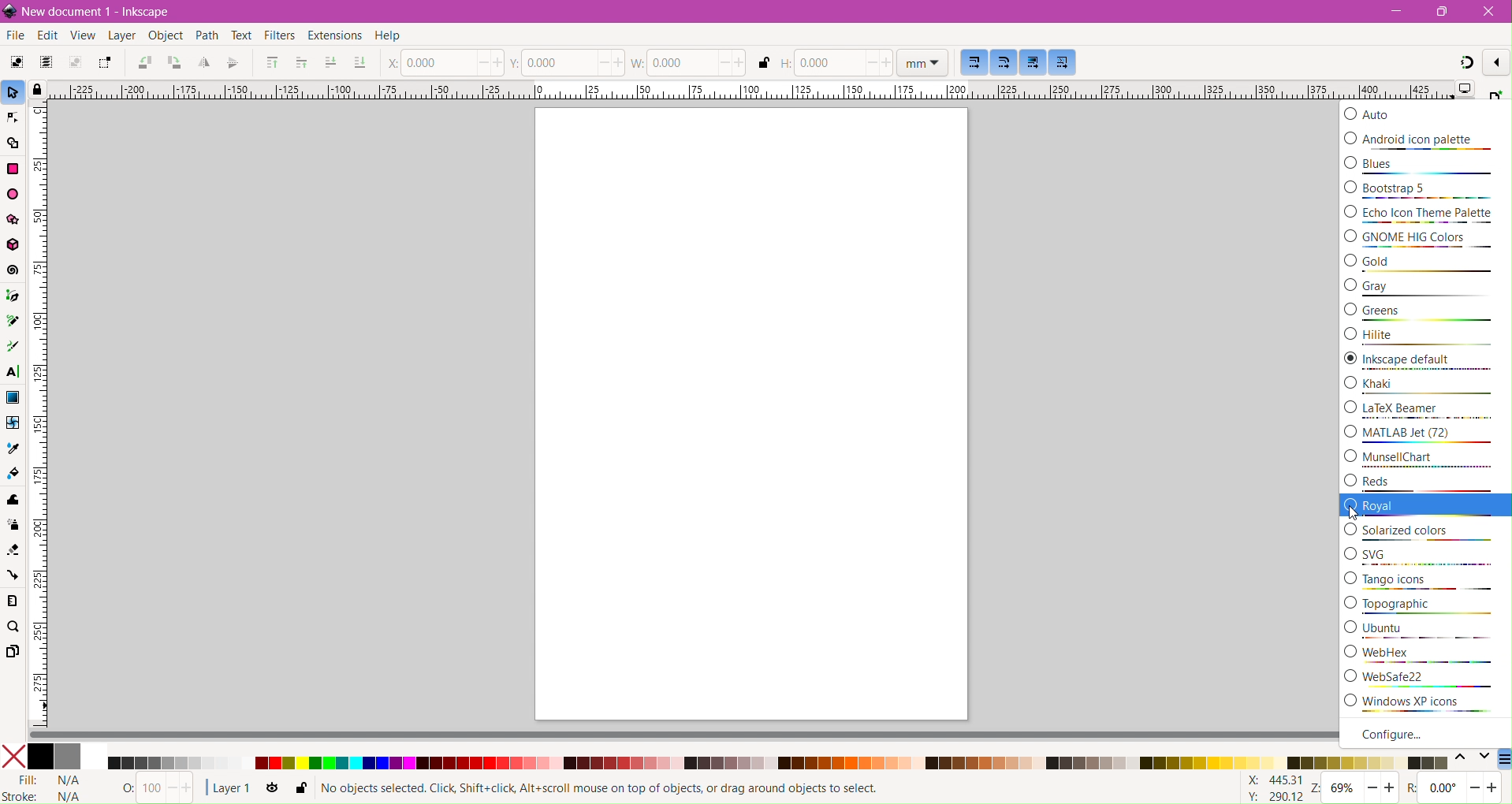  Describe the element at coordinates (163, 37) in the screenshot. I see `Object` at that location.